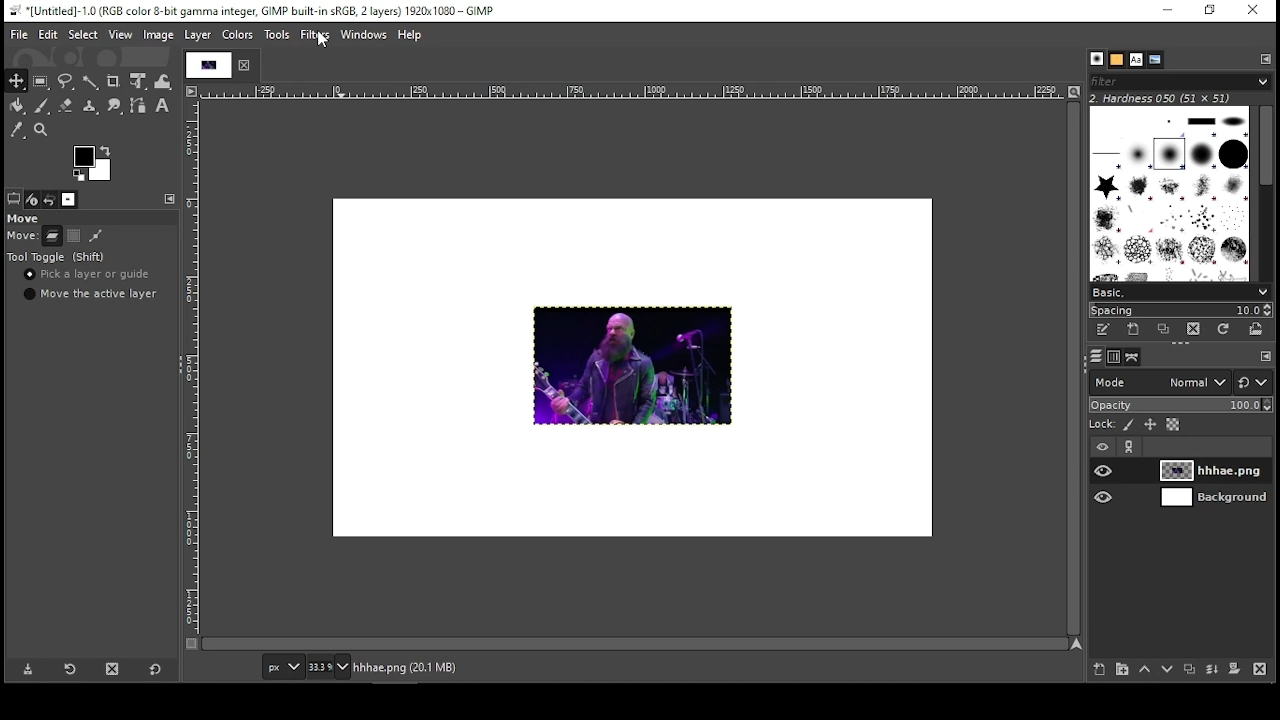  I want to click on unified transform tool, so click(140, 82).